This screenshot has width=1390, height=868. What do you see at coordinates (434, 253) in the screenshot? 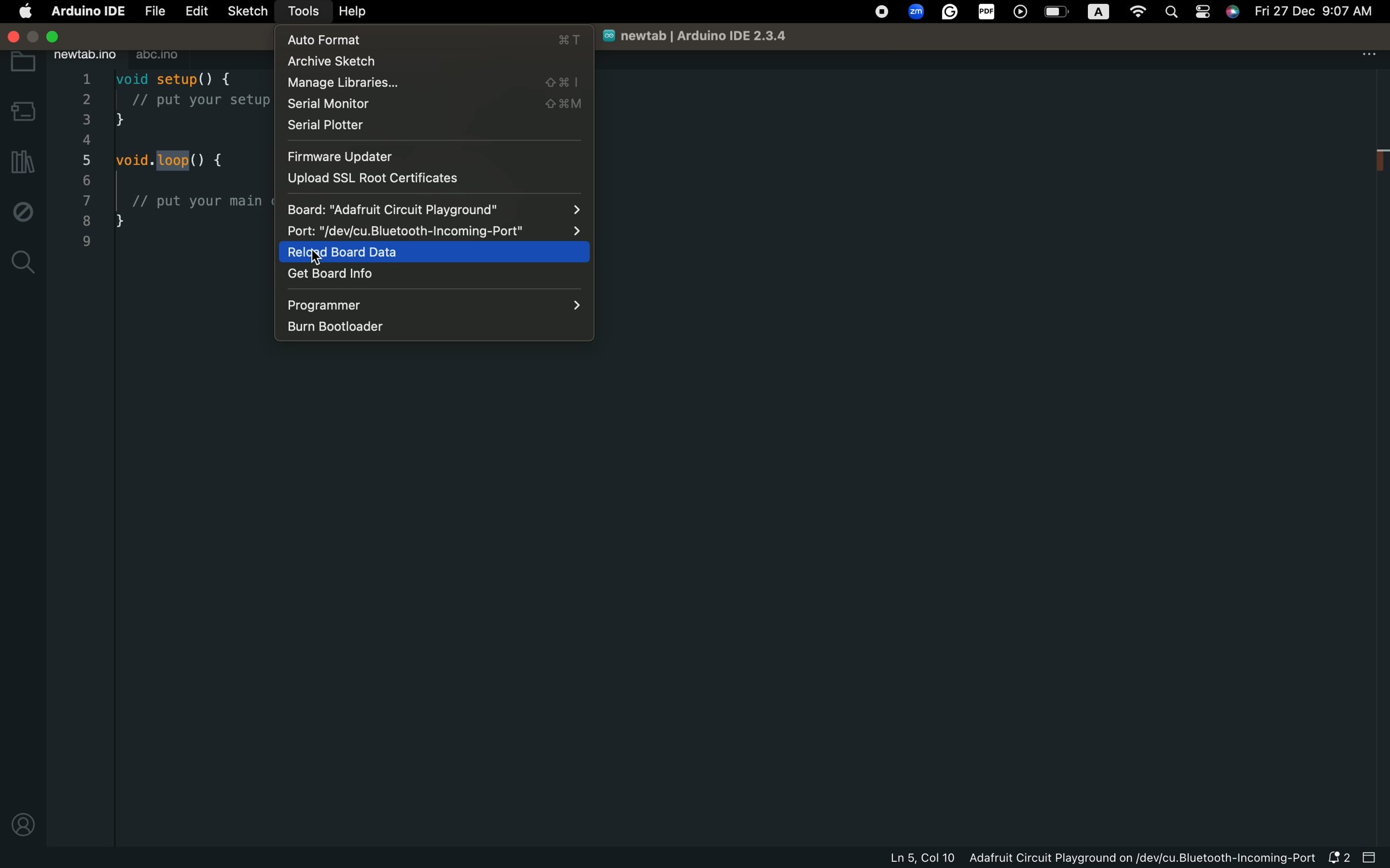
I see `reload board data` at bounding box center [434, 253].